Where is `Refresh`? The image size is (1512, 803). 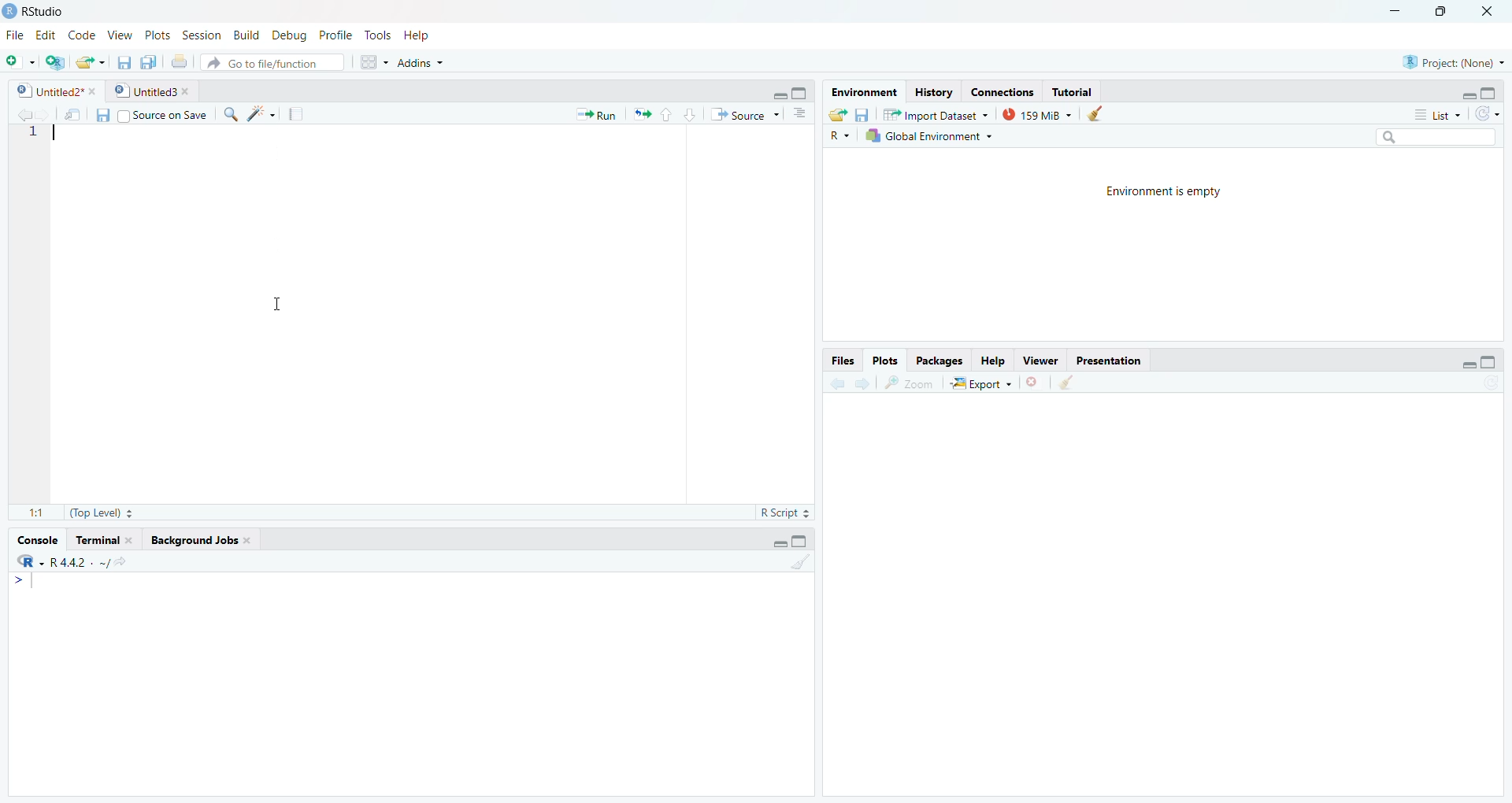
Refresh is located at coordinates (1488, 115).